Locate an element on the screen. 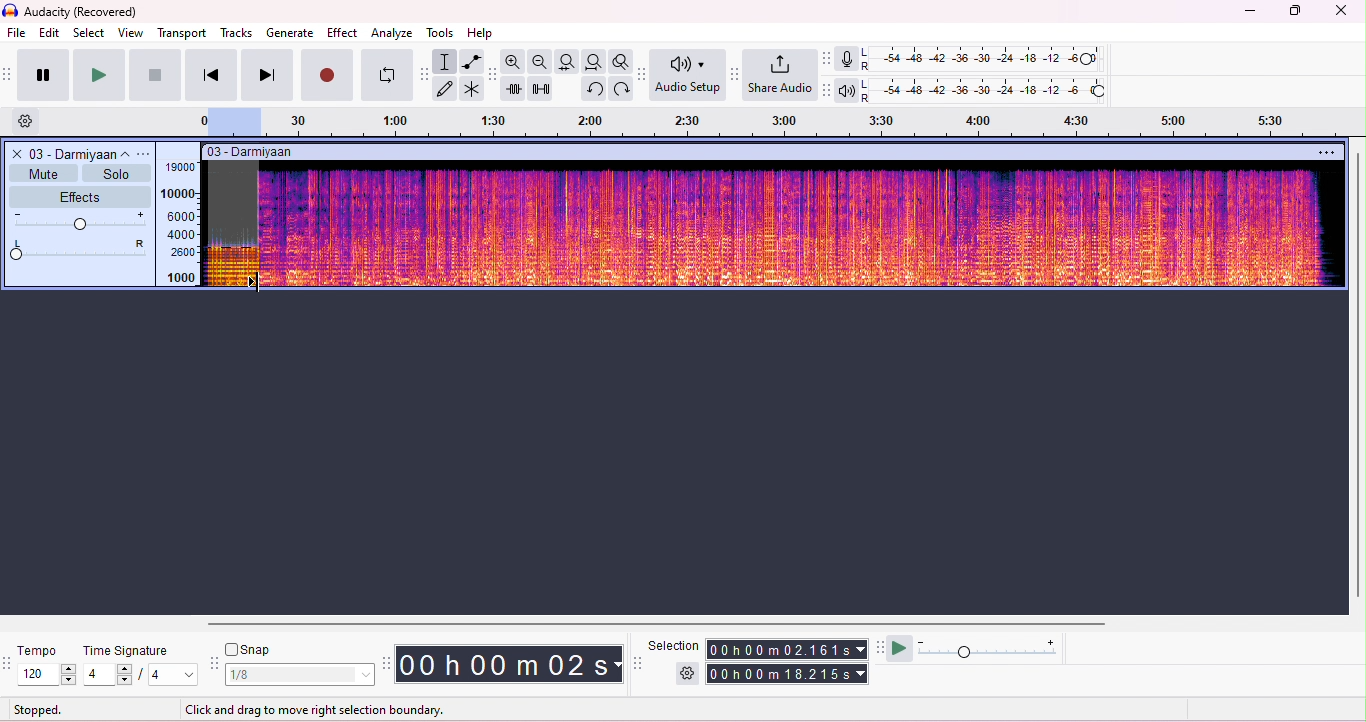  envelop is located at coordinates (474, 62).